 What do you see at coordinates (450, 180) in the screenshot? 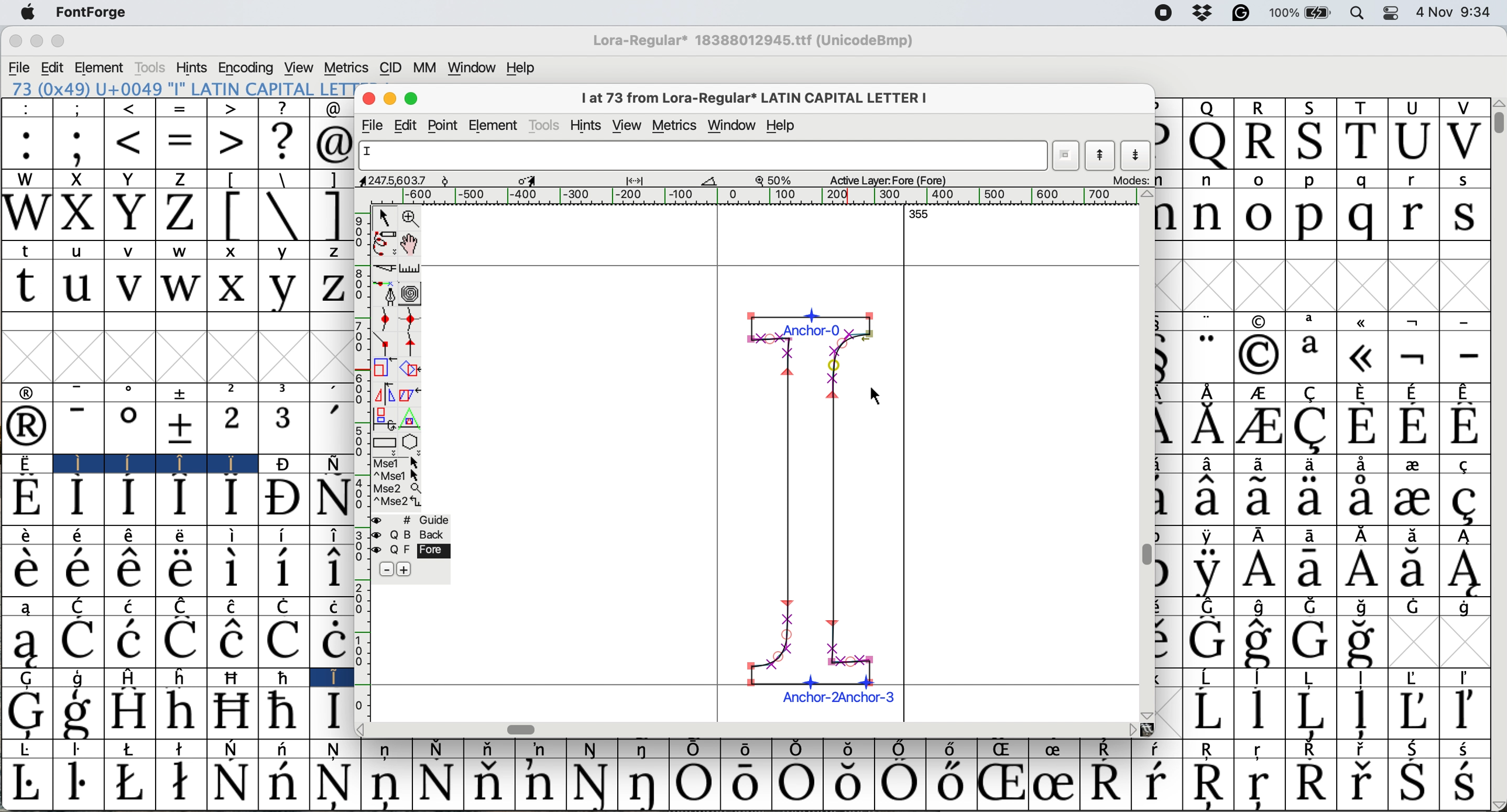
I see `` at bounding box center [450, 180].